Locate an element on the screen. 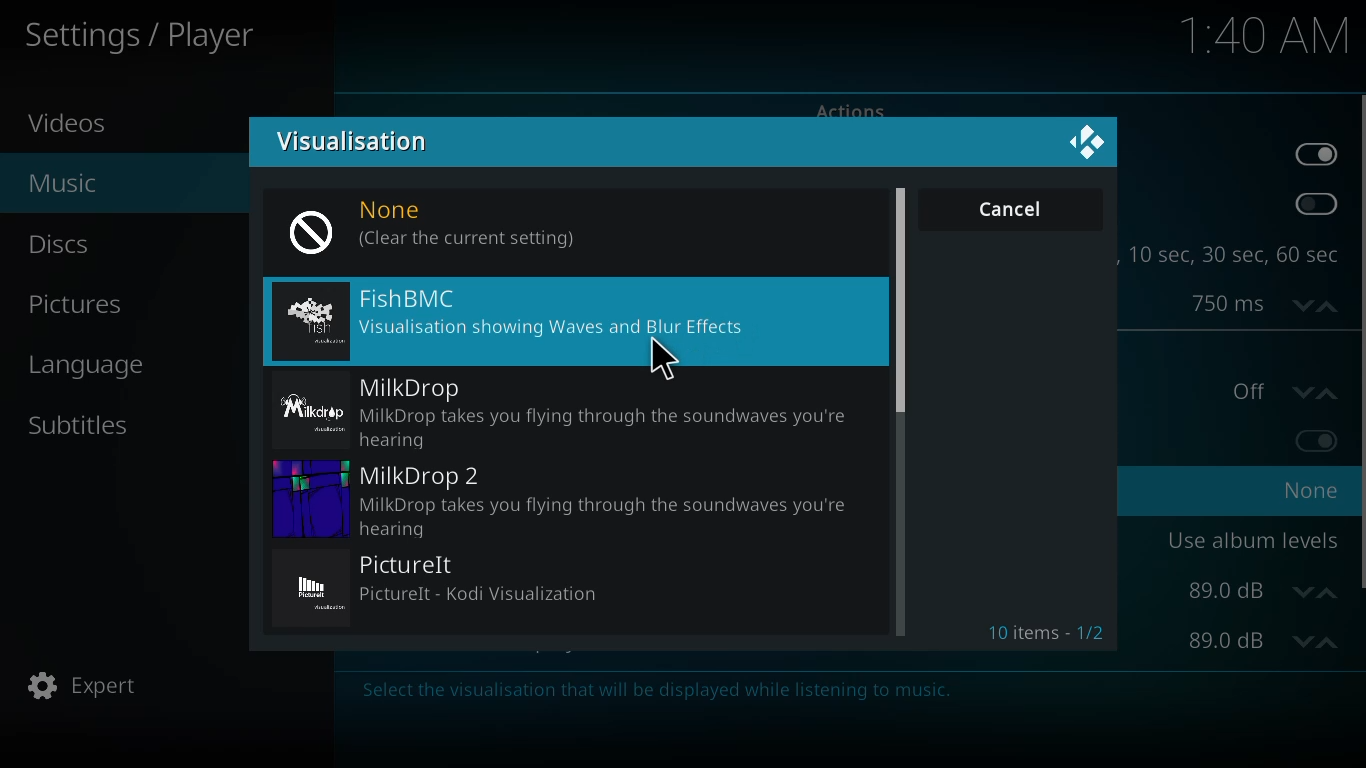 The image size is (1366, 768). scrollbar  is located at coordinates (902, 295).